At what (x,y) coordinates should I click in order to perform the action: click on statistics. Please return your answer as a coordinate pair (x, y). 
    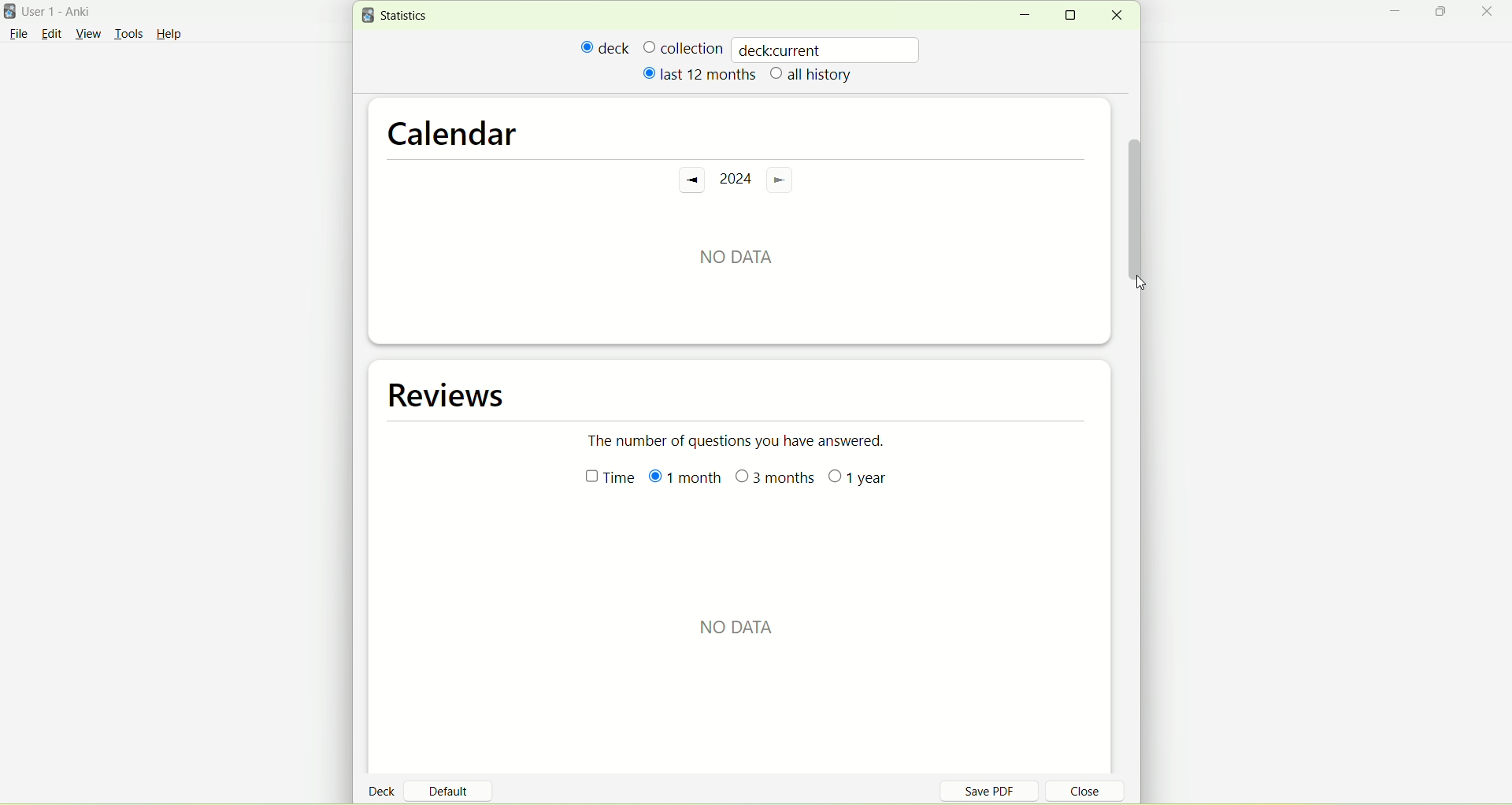
    Looking at the image, I should click on (398, 16).